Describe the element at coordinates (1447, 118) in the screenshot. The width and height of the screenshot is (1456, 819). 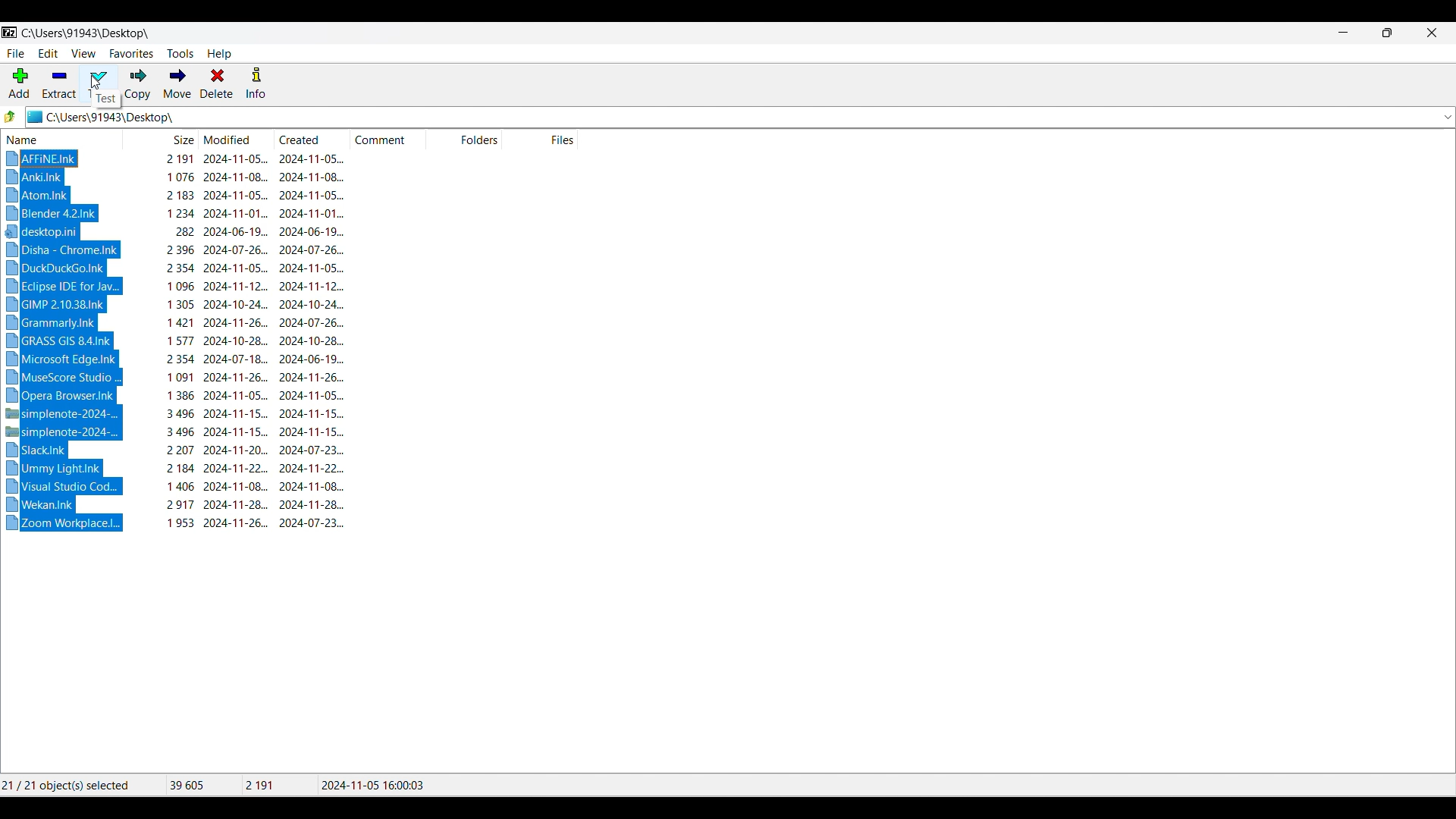
I see `List all previous folders` at that location.